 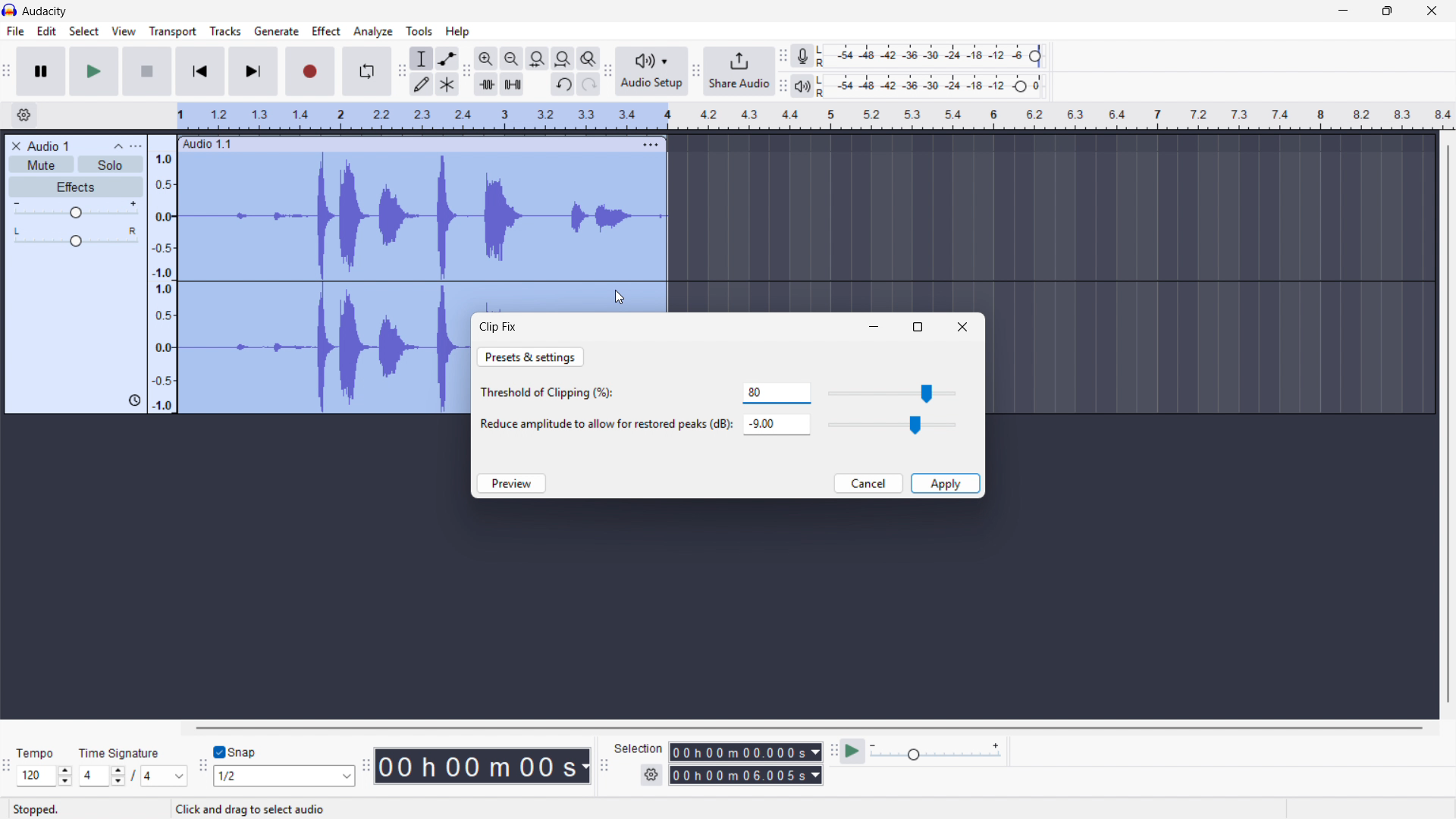 I want to click on Set snapping, so click(x=284, y=776).